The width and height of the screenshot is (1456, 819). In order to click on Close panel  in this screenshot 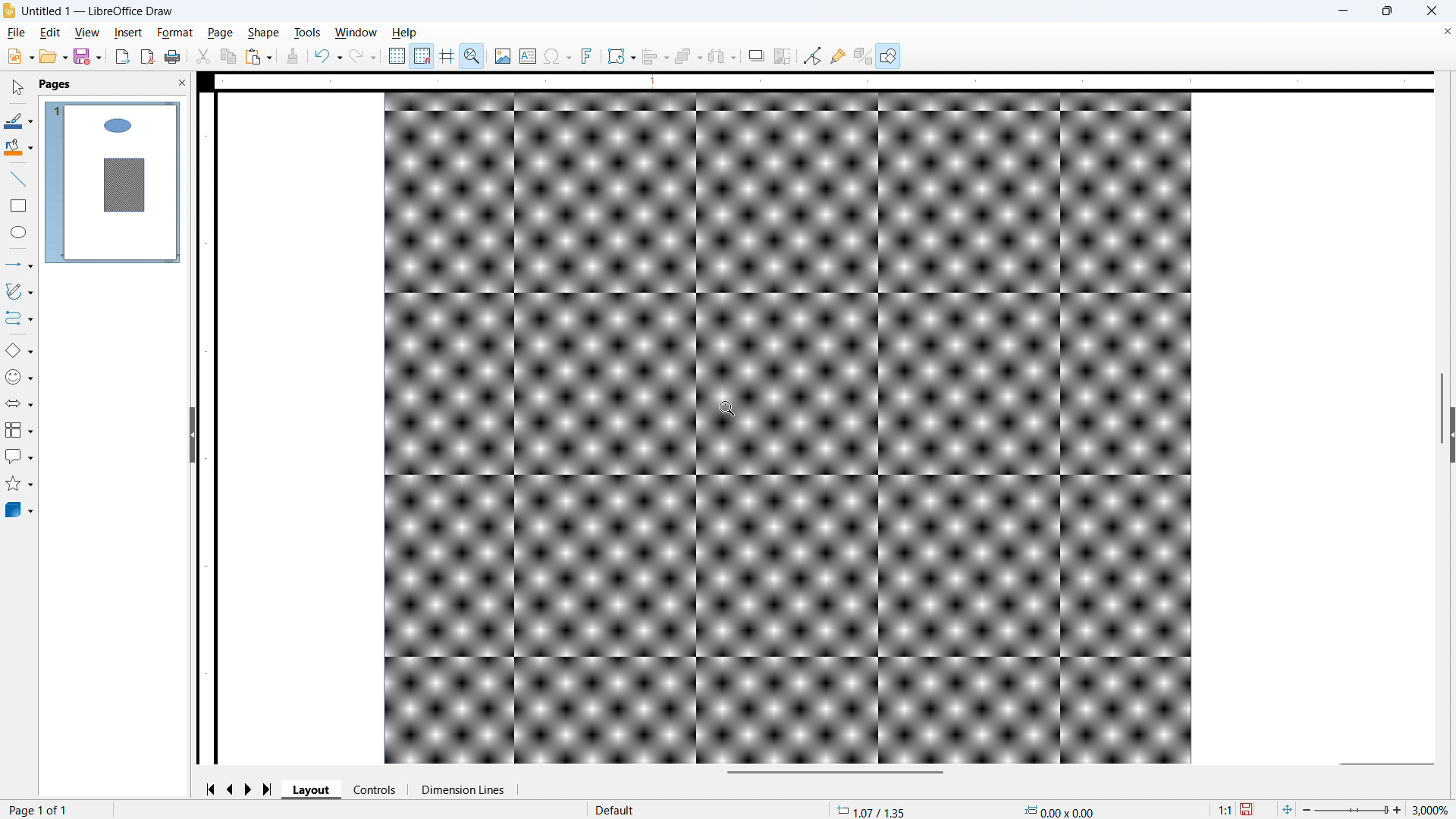, I will do `click(183, 83)`.